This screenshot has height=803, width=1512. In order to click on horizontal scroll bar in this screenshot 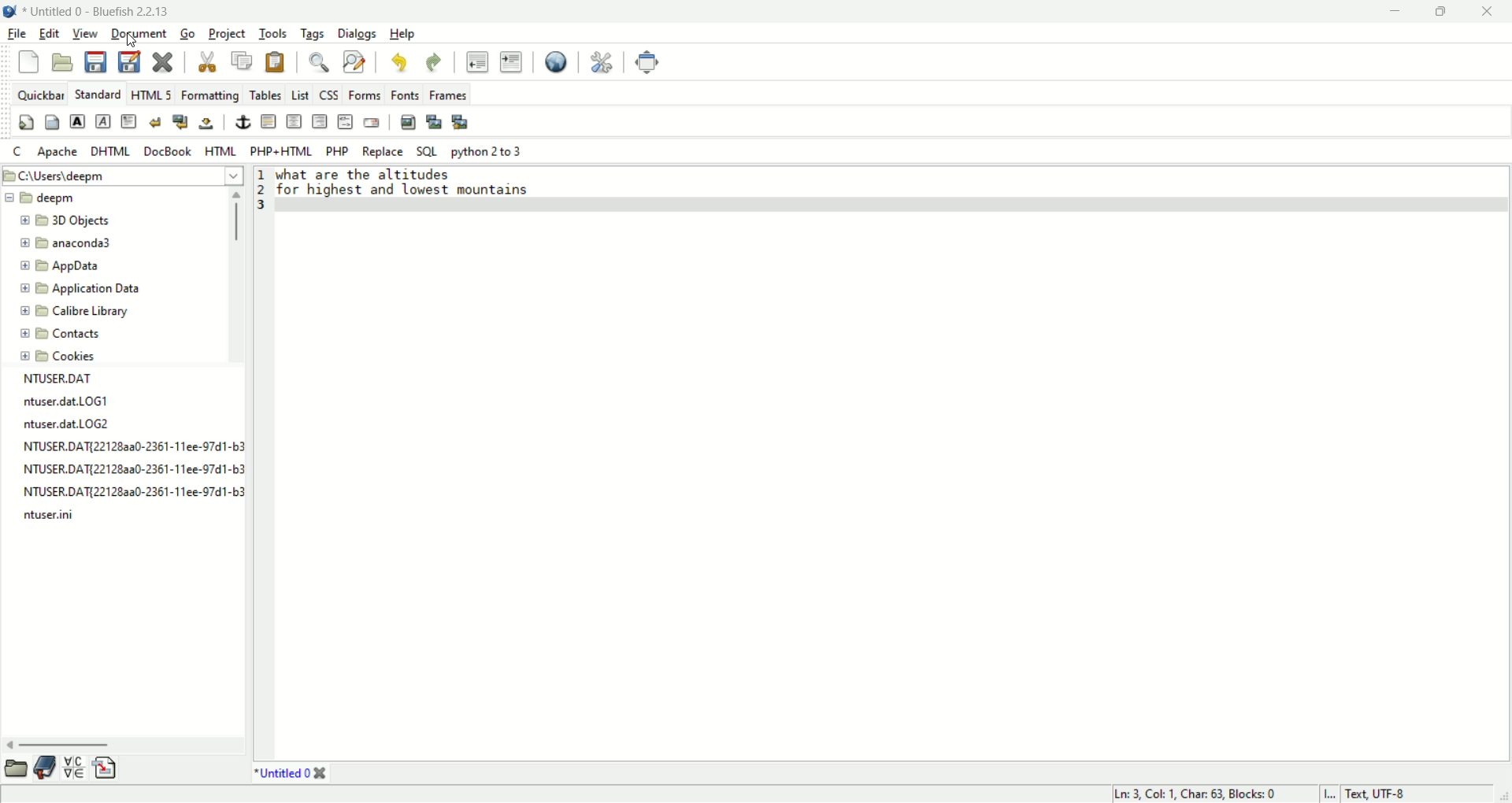, I will do `click(121, 742)`.